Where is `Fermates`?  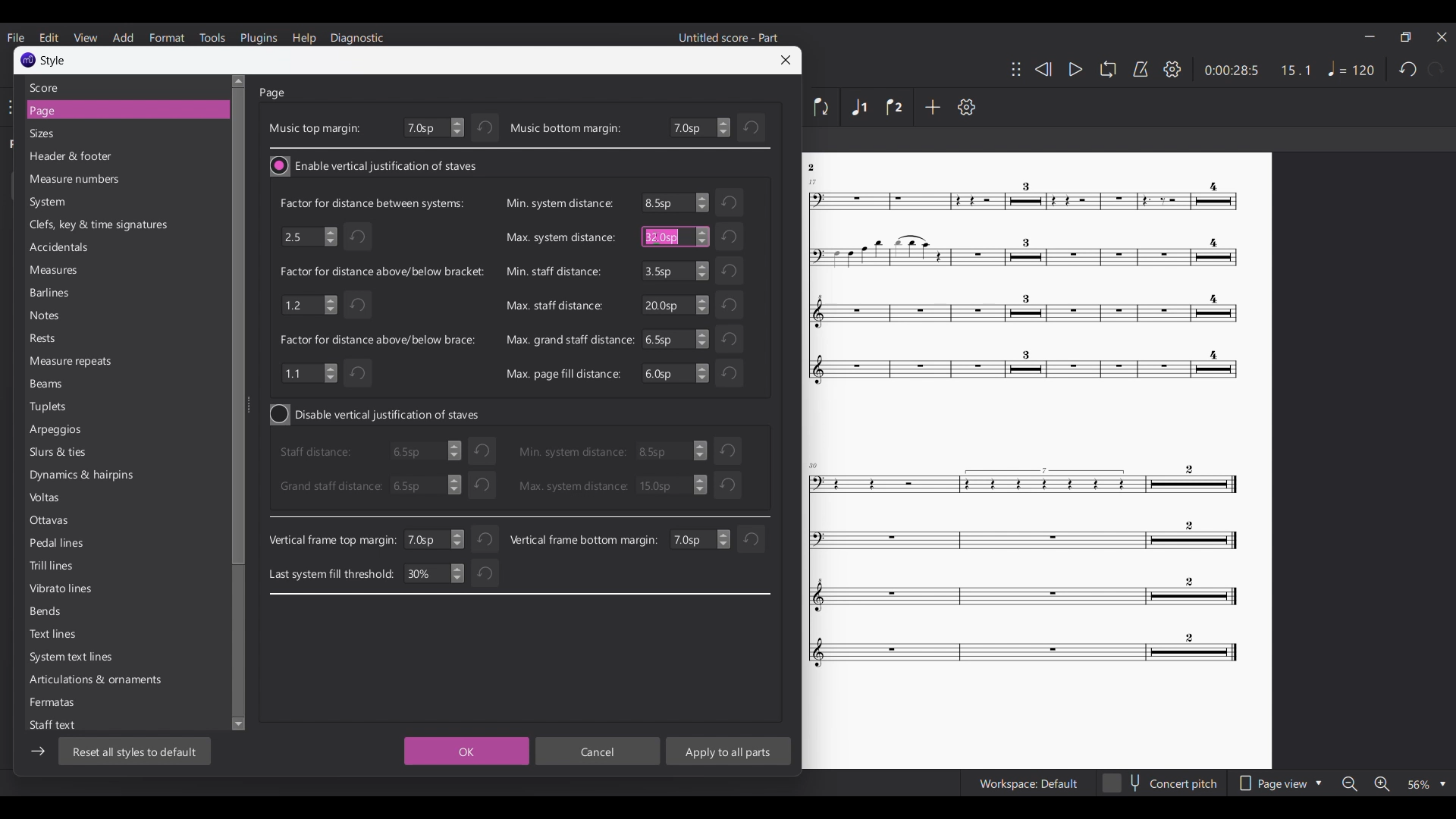 Fermates is located at coordinates (80, 706).